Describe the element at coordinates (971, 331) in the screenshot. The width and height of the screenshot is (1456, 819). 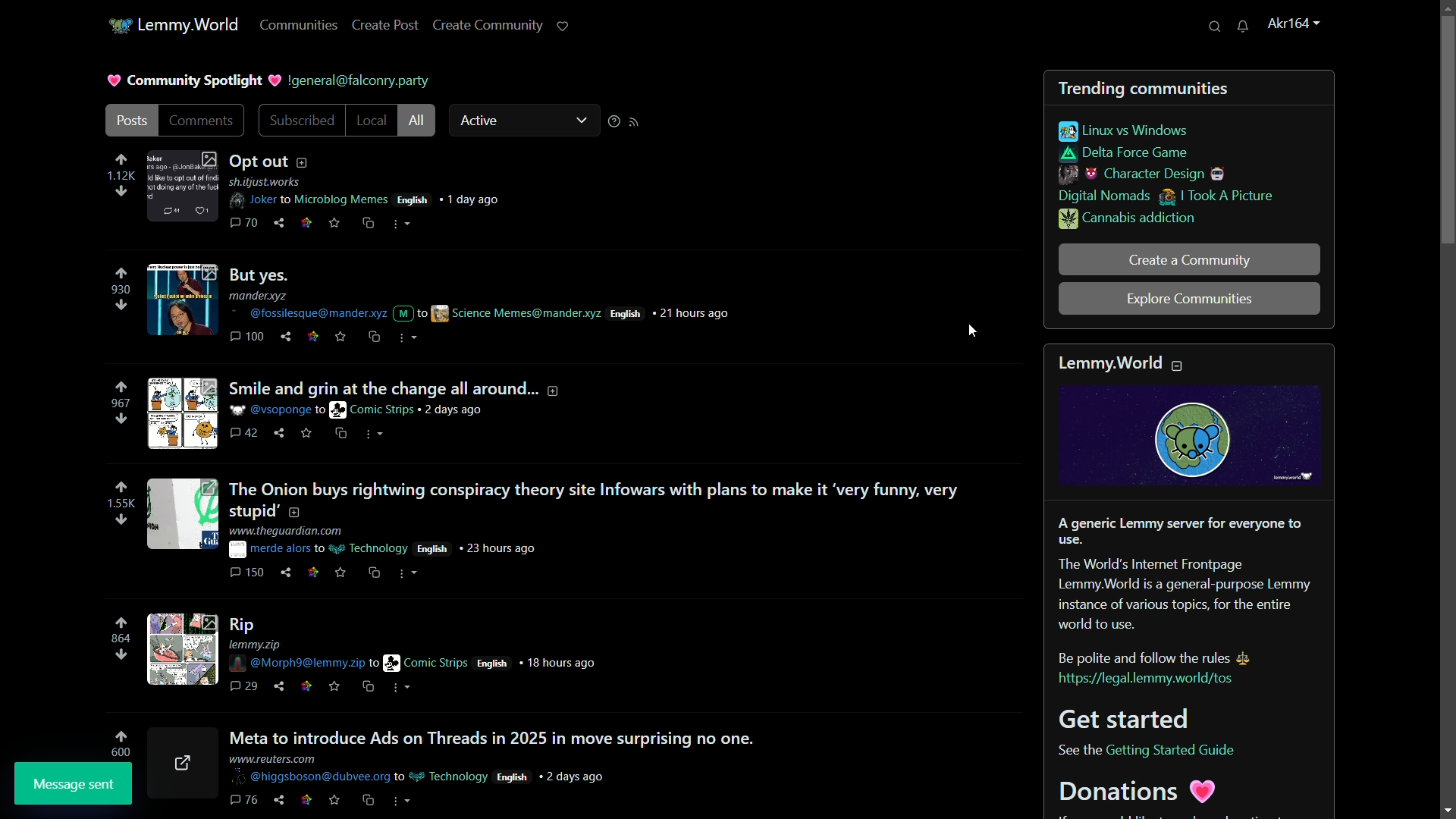
I see `cursor` at that location.